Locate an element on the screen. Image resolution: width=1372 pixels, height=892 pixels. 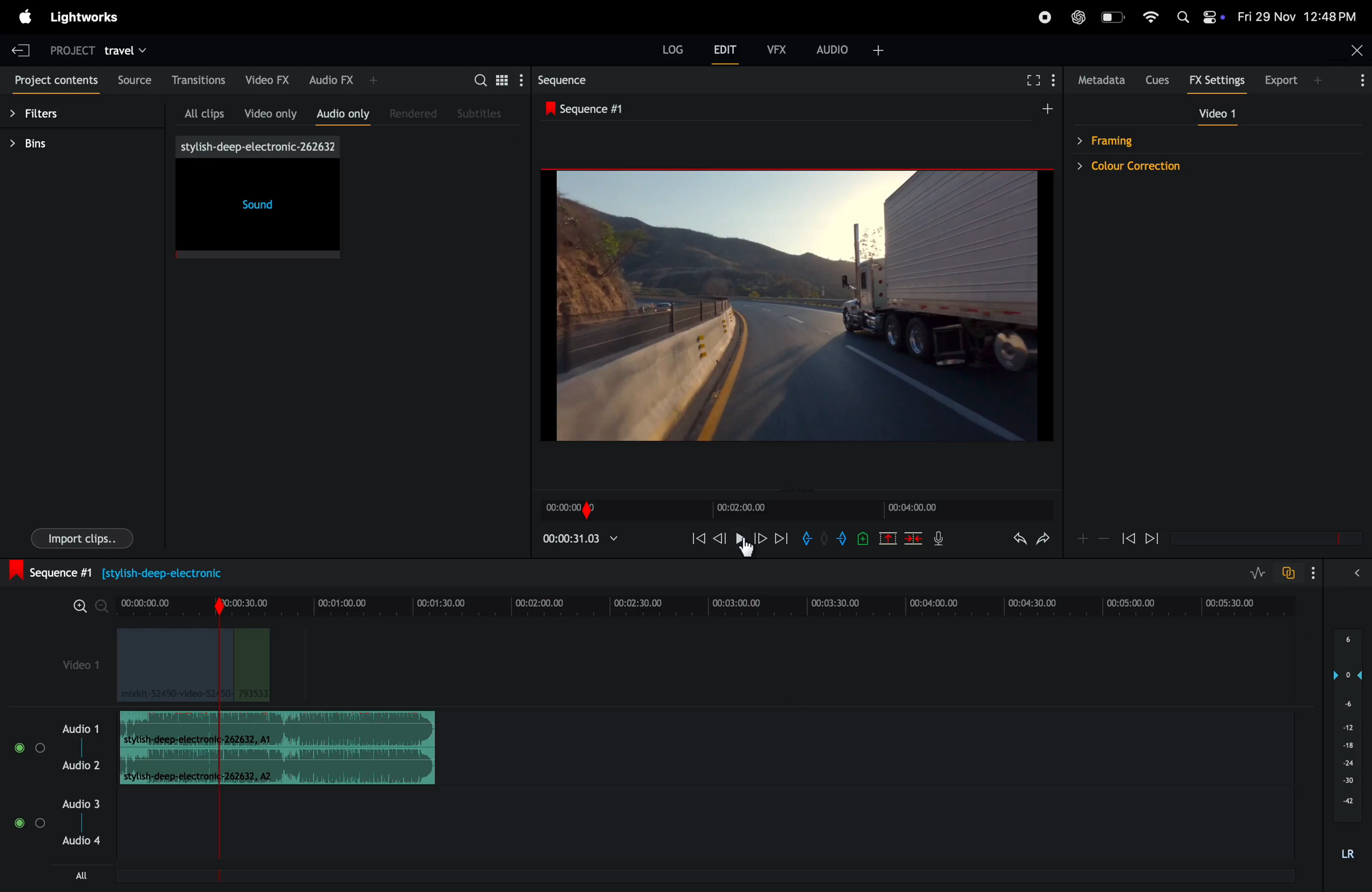
log is located at coordinates (666, 47).